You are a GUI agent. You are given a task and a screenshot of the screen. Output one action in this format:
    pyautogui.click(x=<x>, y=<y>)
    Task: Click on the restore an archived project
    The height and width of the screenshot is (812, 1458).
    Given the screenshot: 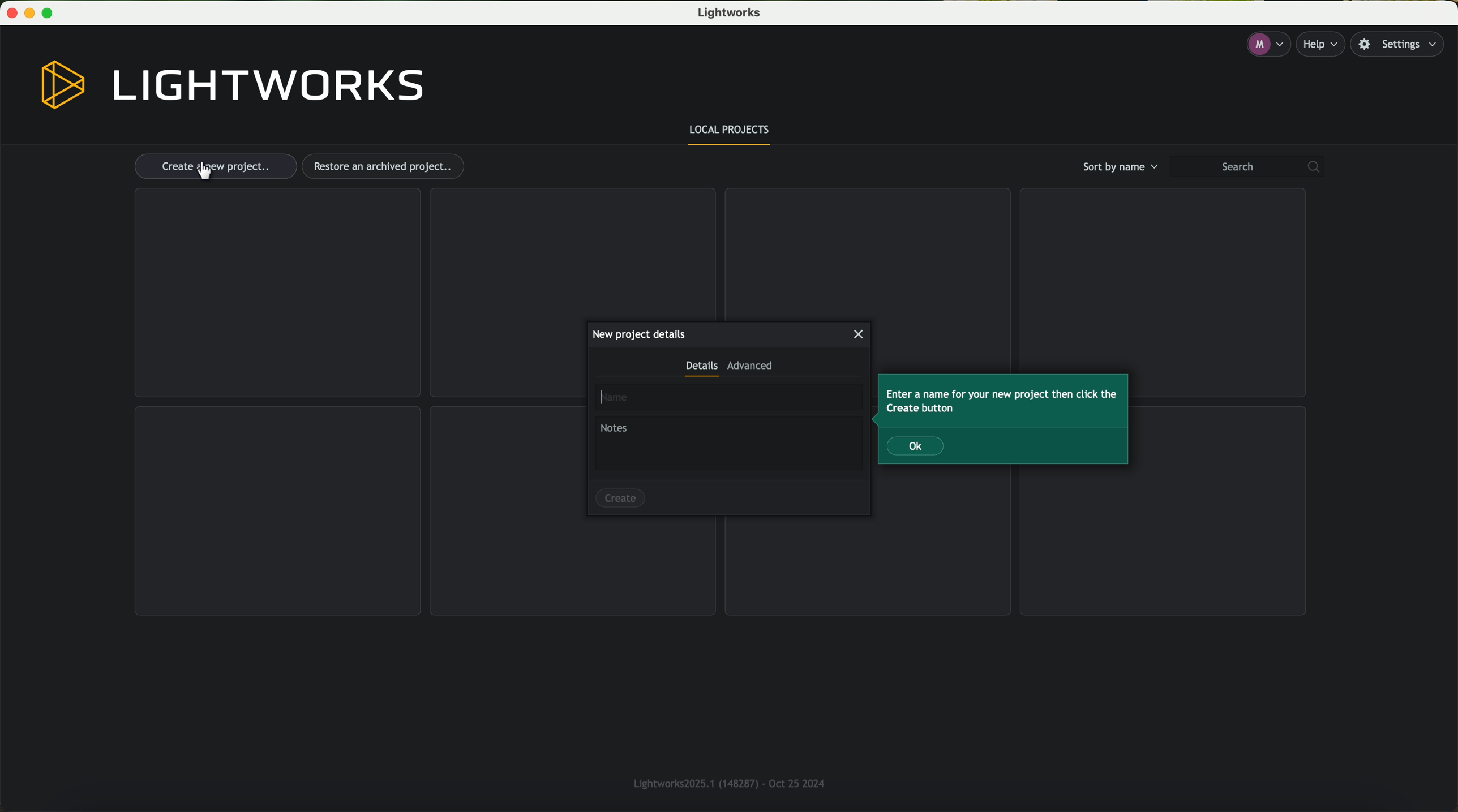 What is the action you would take?
    pyautogui.click(x=386, y=166)
    